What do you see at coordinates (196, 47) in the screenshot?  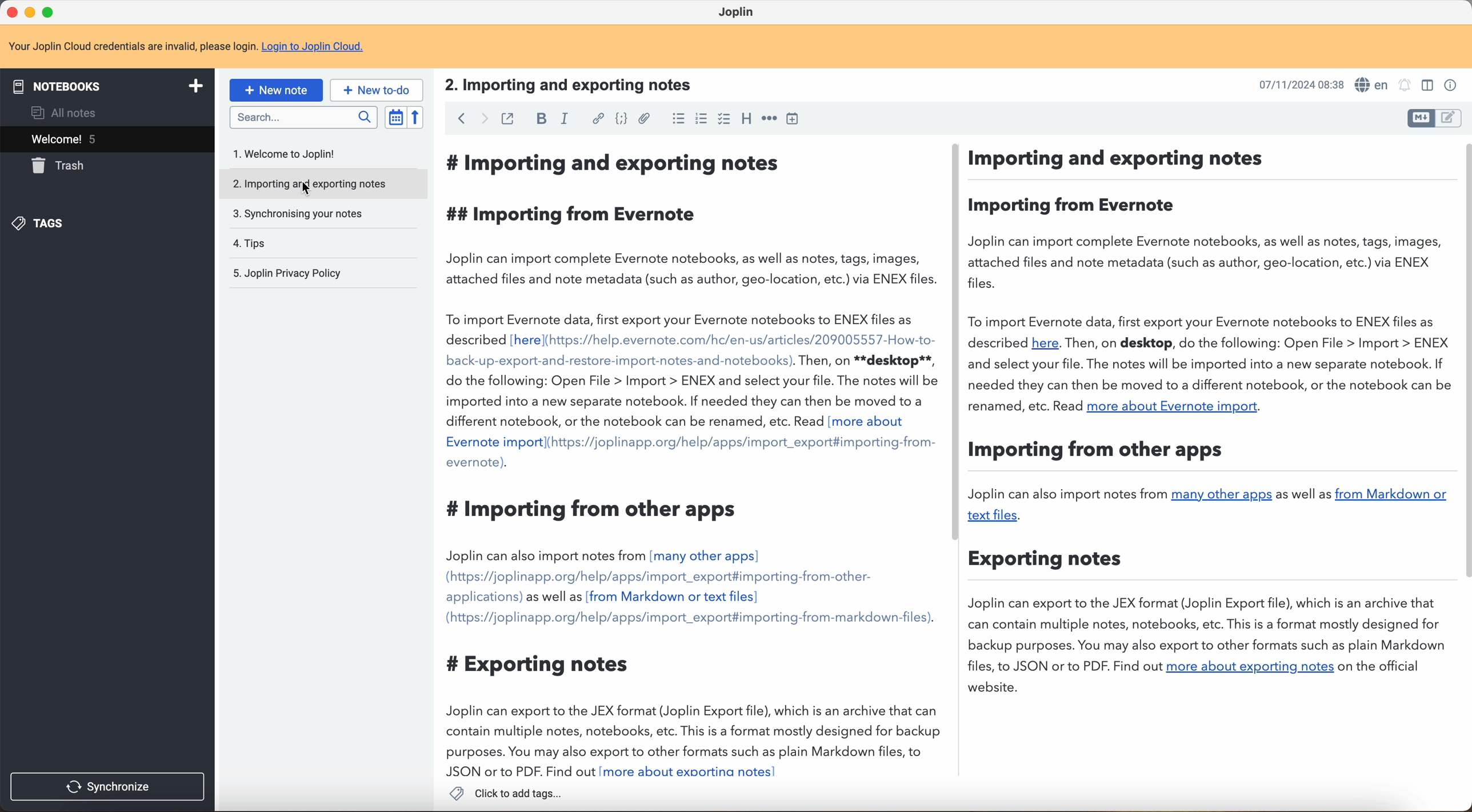 I see `Your Joplin Cloud credentials are invalid, please login. Login to Joplin Cloud.` at bounding box center [196, 47].